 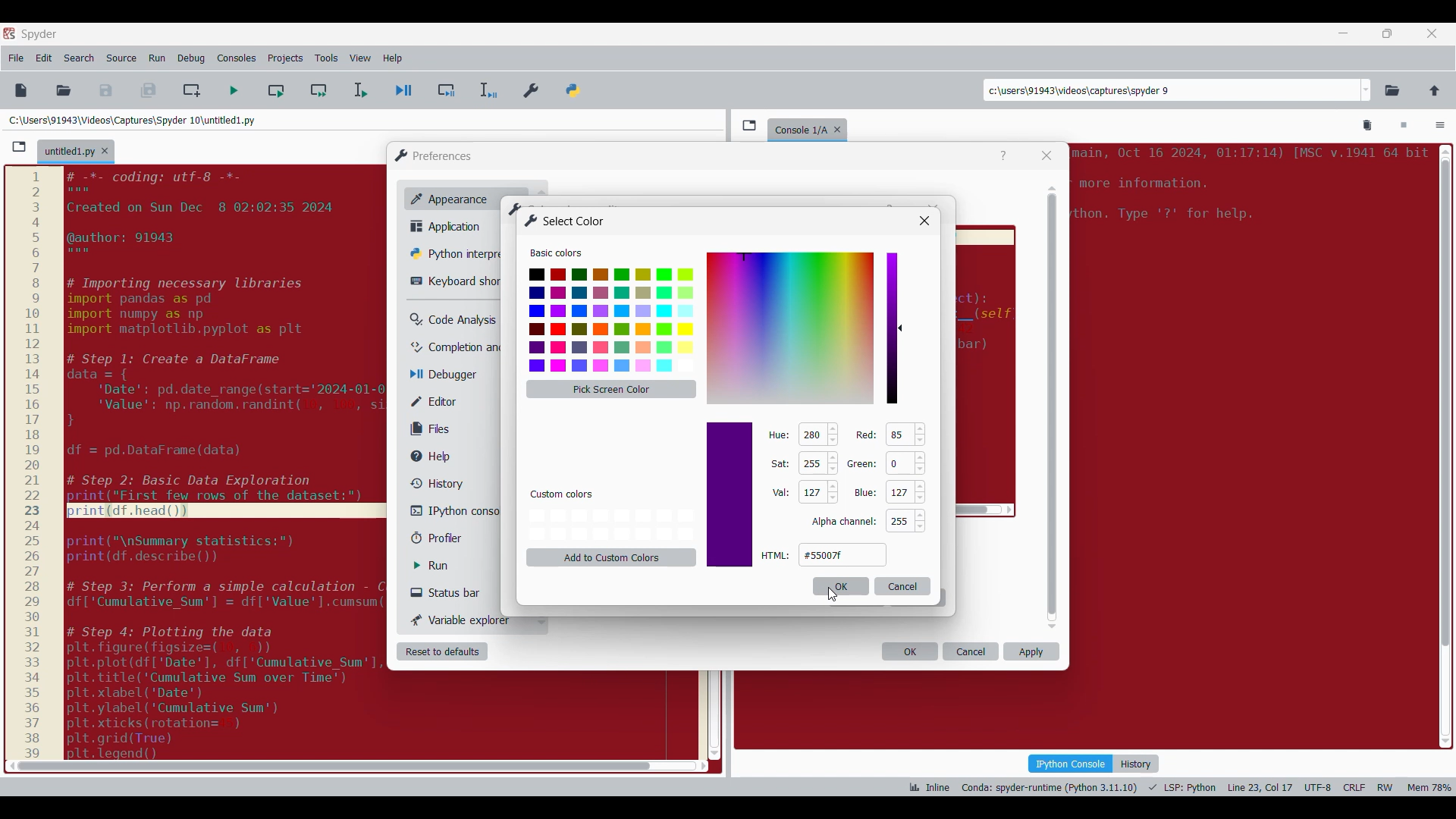 I want to click on Change to parent directory, so click(x=1435, y=90).